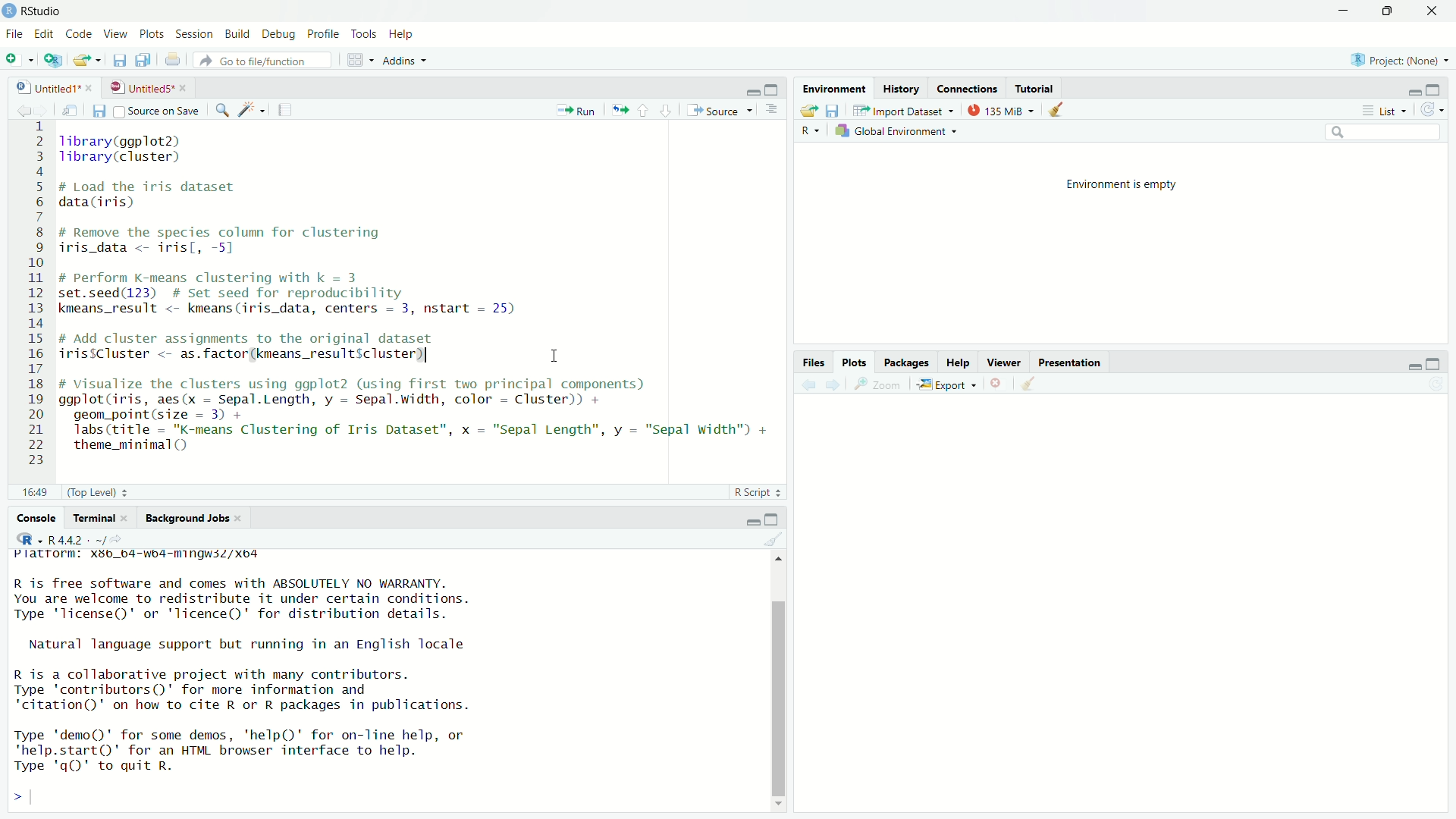 This screenshot has height=819, width=1456. I want to click on plots, so click(853, 362).